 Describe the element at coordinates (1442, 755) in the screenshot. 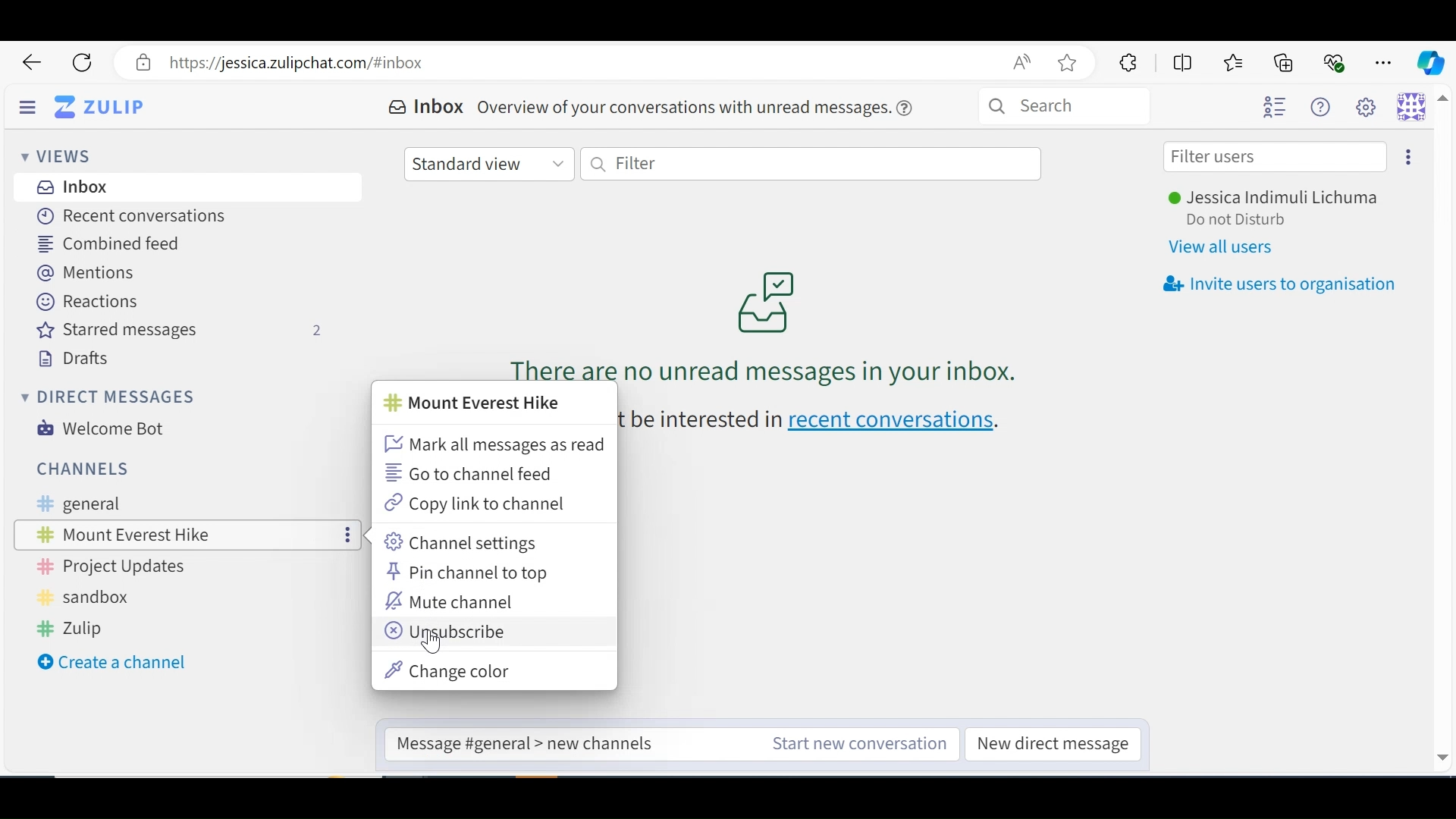

I see `Down` at that location.